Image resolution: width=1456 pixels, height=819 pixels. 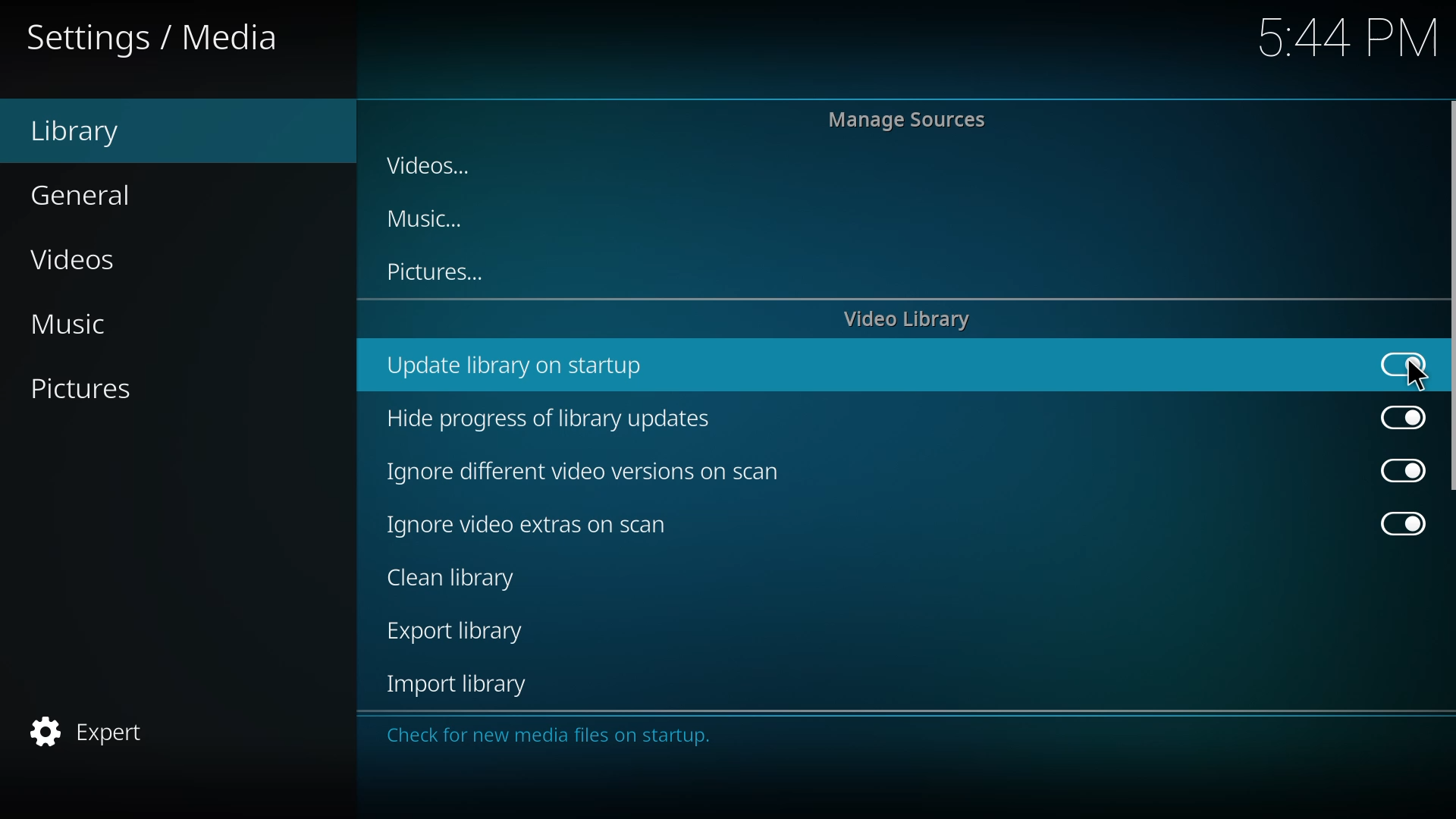 I want to click on videos, so click(x=83, y=259).